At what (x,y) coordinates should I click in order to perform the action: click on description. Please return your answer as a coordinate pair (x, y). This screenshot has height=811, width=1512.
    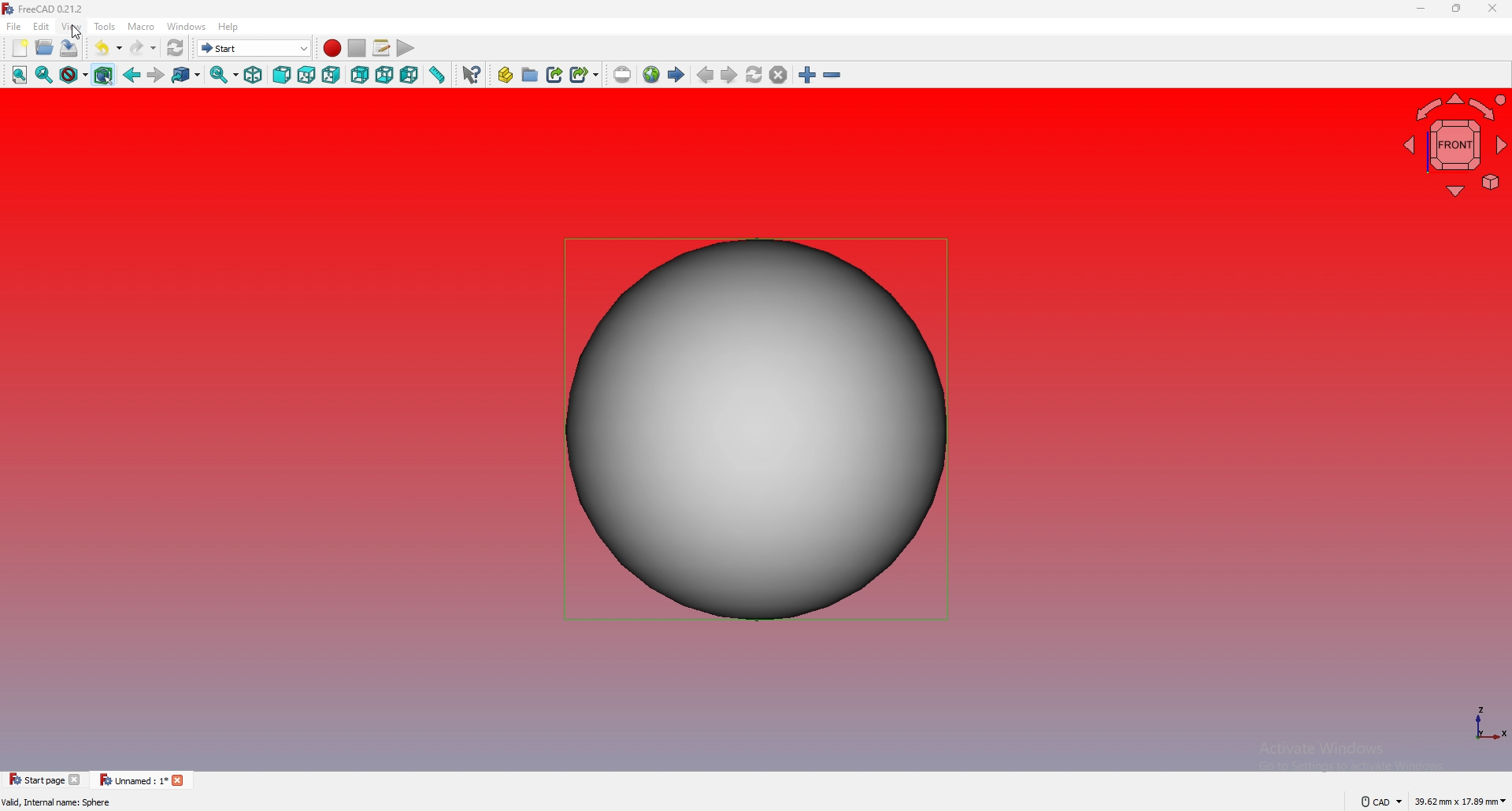
    Looking at the image, I should click on (57, 802).